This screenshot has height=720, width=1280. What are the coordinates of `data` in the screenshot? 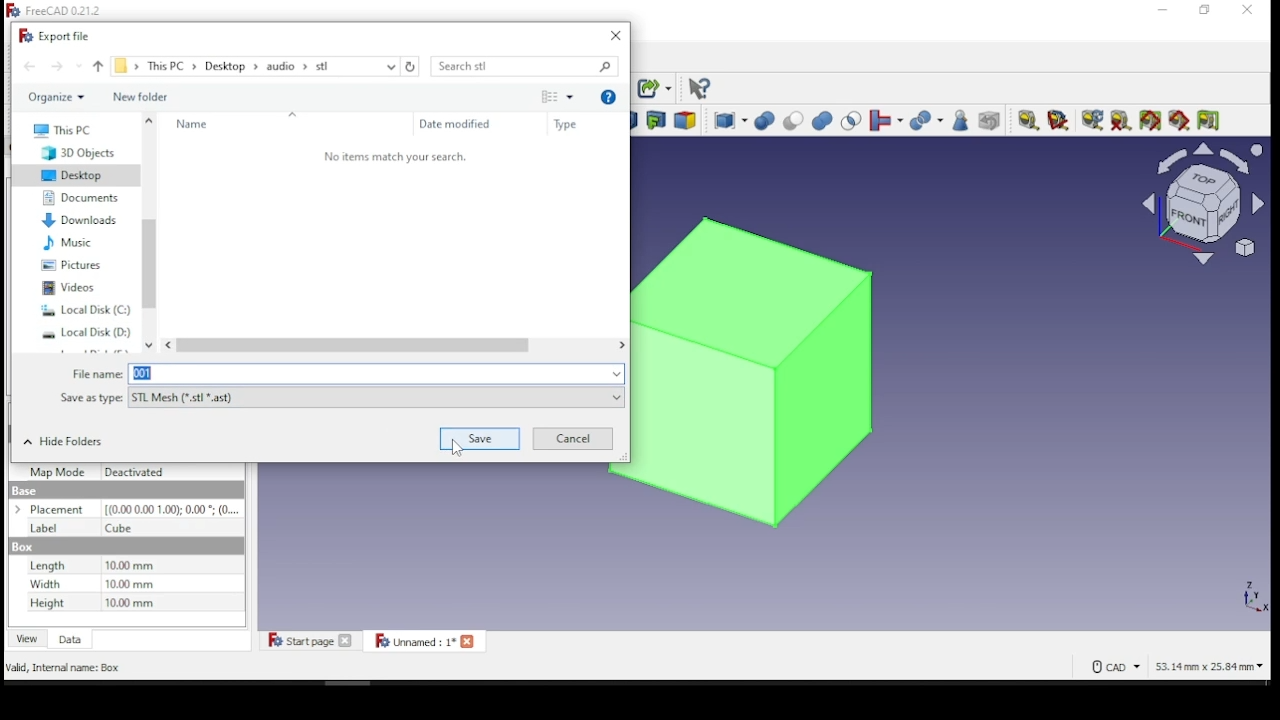 It's located at (72, 638).